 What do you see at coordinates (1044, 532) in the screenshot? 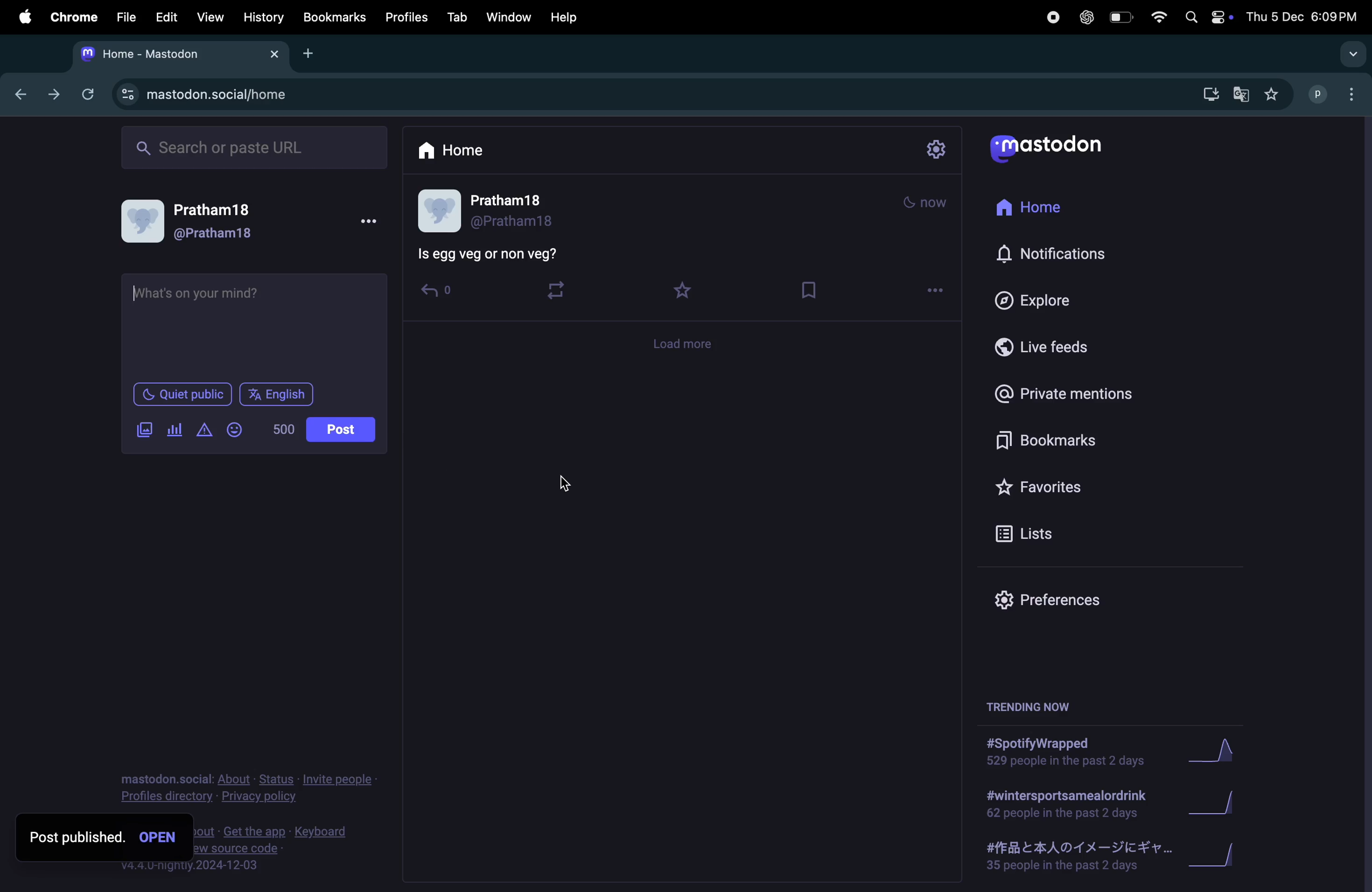
I see `lists` at bounding box center [1044, 532].